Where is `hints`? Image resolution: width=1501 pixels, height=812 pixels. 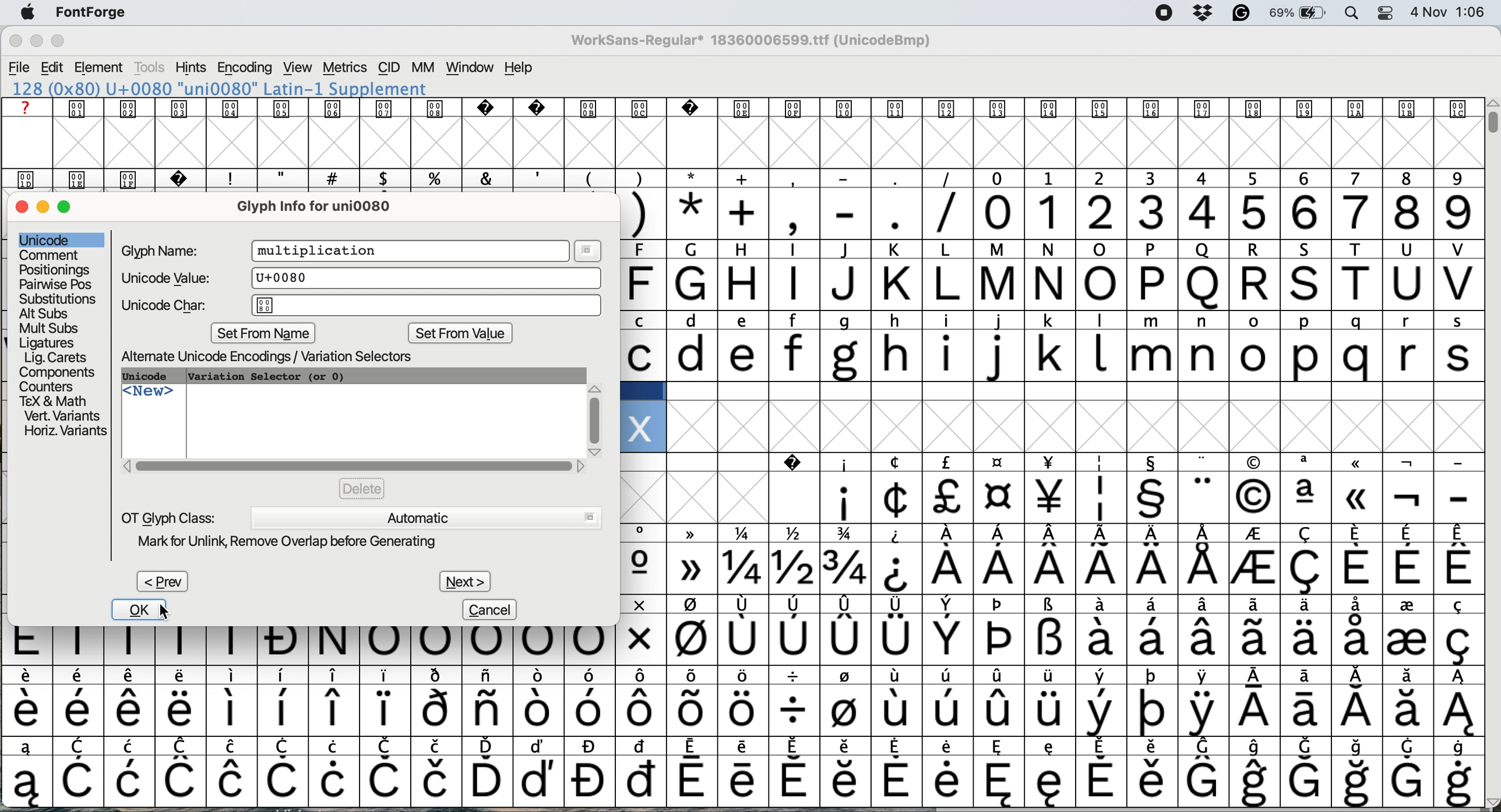
hints is located at coordinates (191, 69).